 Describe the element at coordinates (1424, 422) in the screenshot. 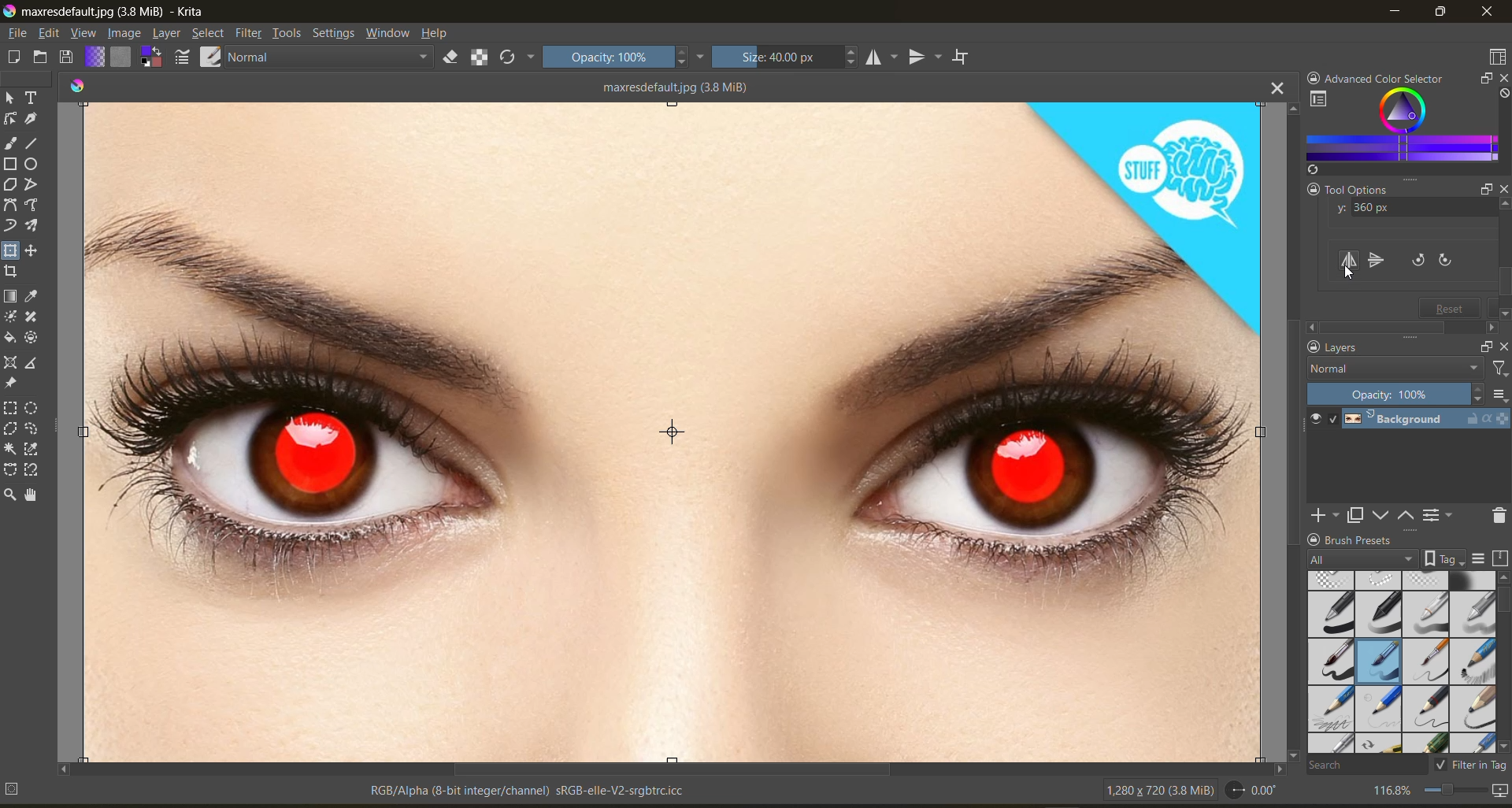

I see `layer` at that location.